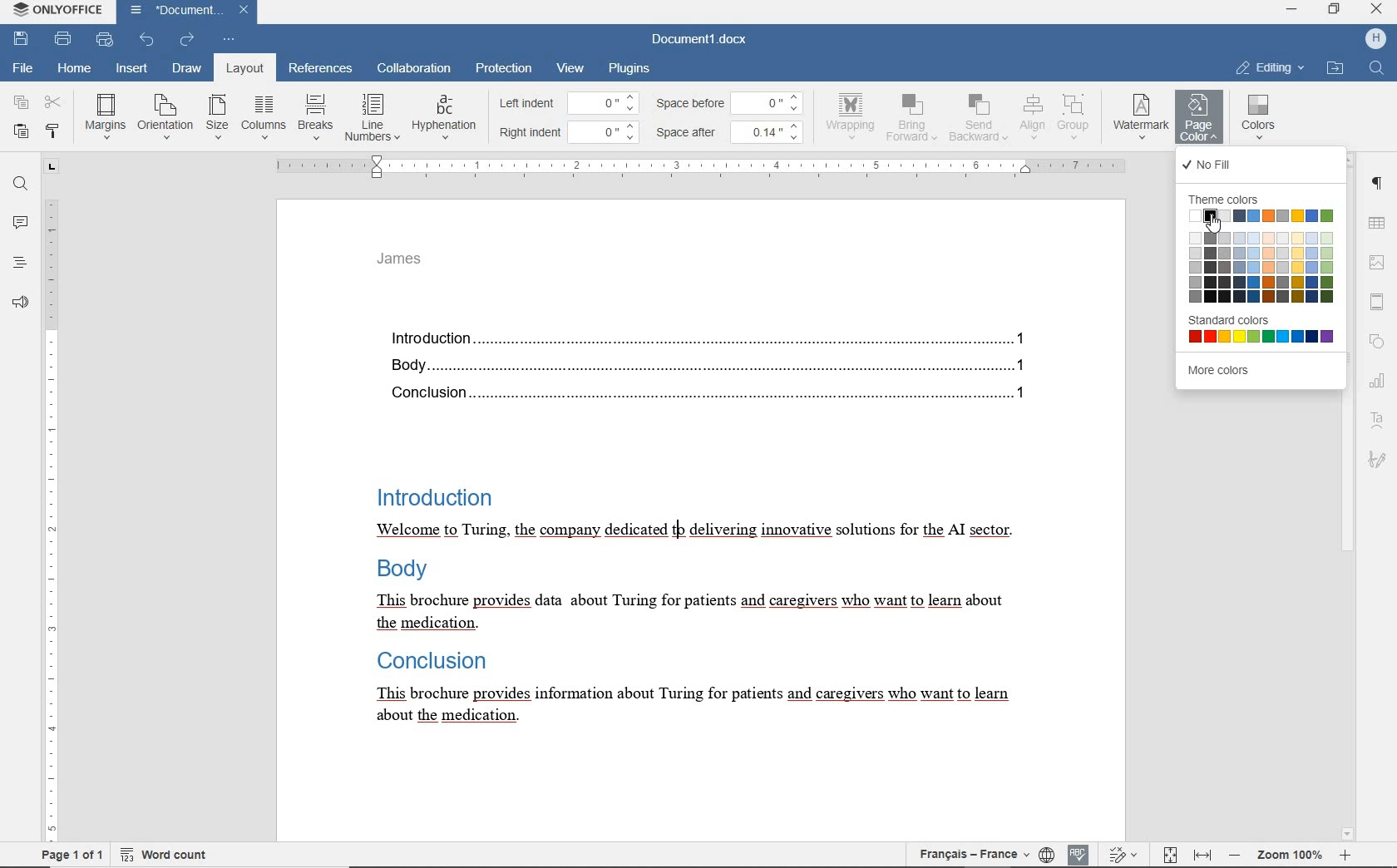 The image size is (1397, 868). Describe the element at coordinates (322, 70) in the screenshot. I see `references` at that location.